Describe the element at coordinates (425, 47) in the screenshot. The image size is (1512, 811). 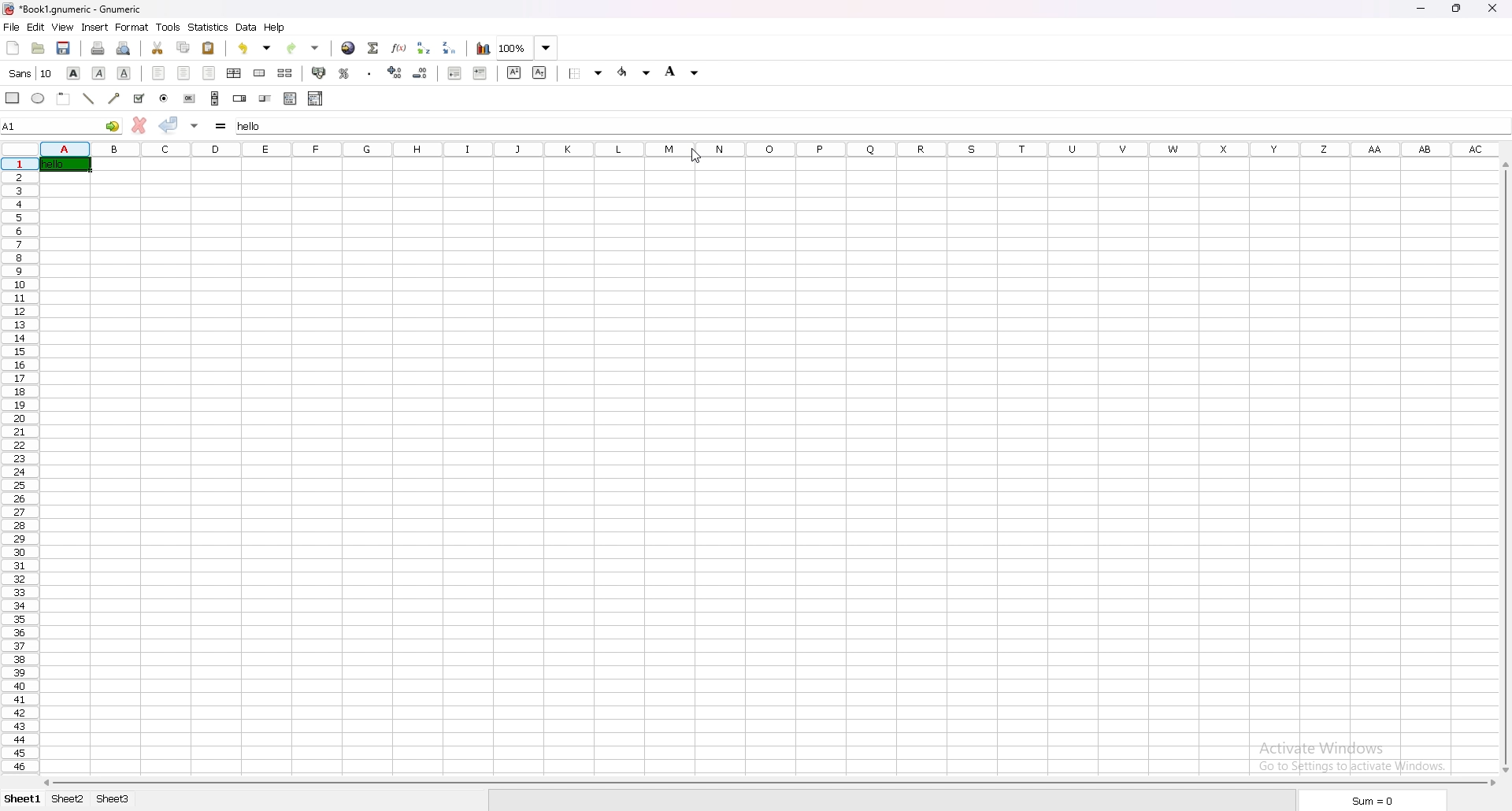
I see `sort ascending` at that location.